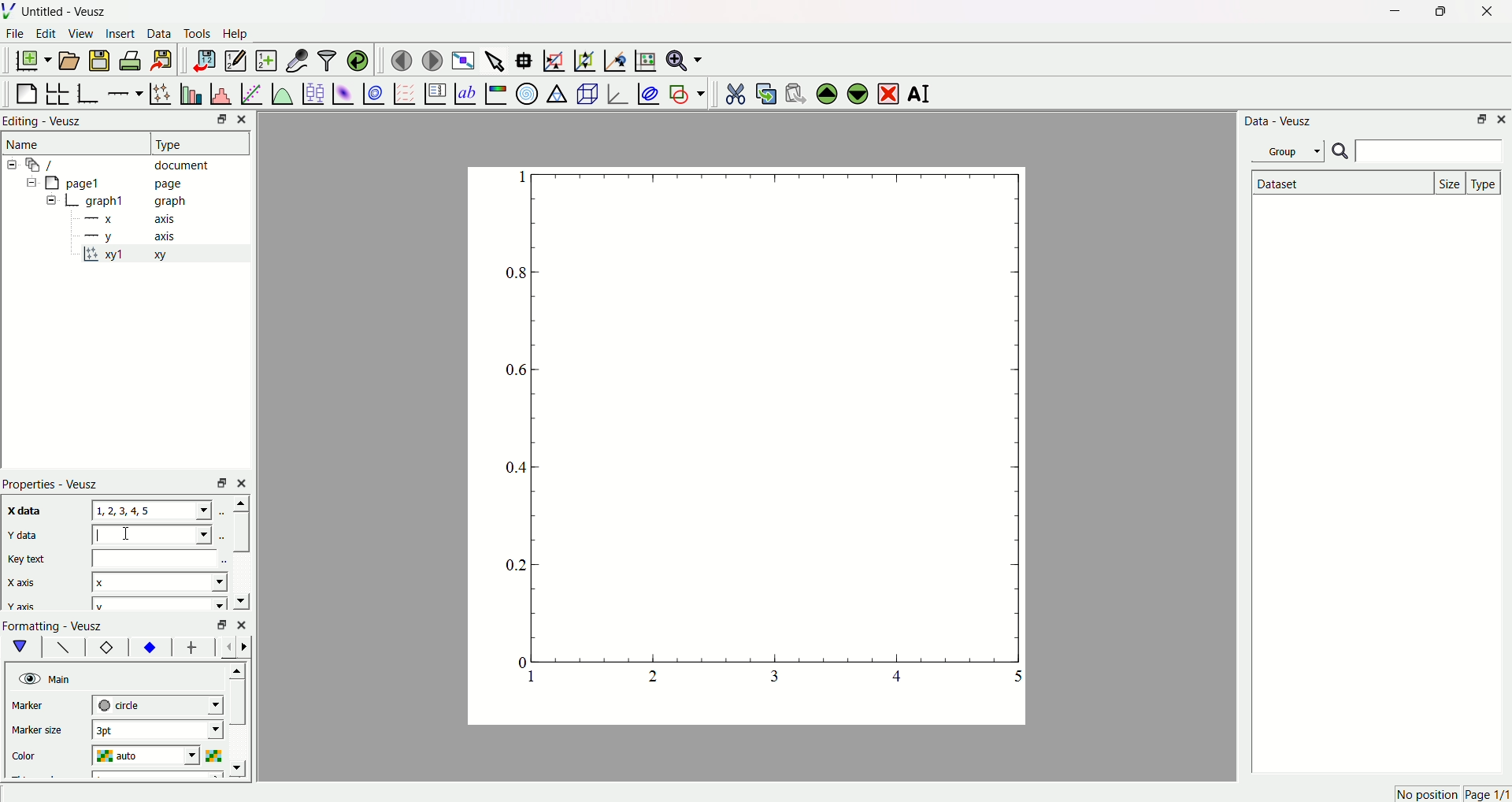  I want to click on histogram, so click(220, 91).